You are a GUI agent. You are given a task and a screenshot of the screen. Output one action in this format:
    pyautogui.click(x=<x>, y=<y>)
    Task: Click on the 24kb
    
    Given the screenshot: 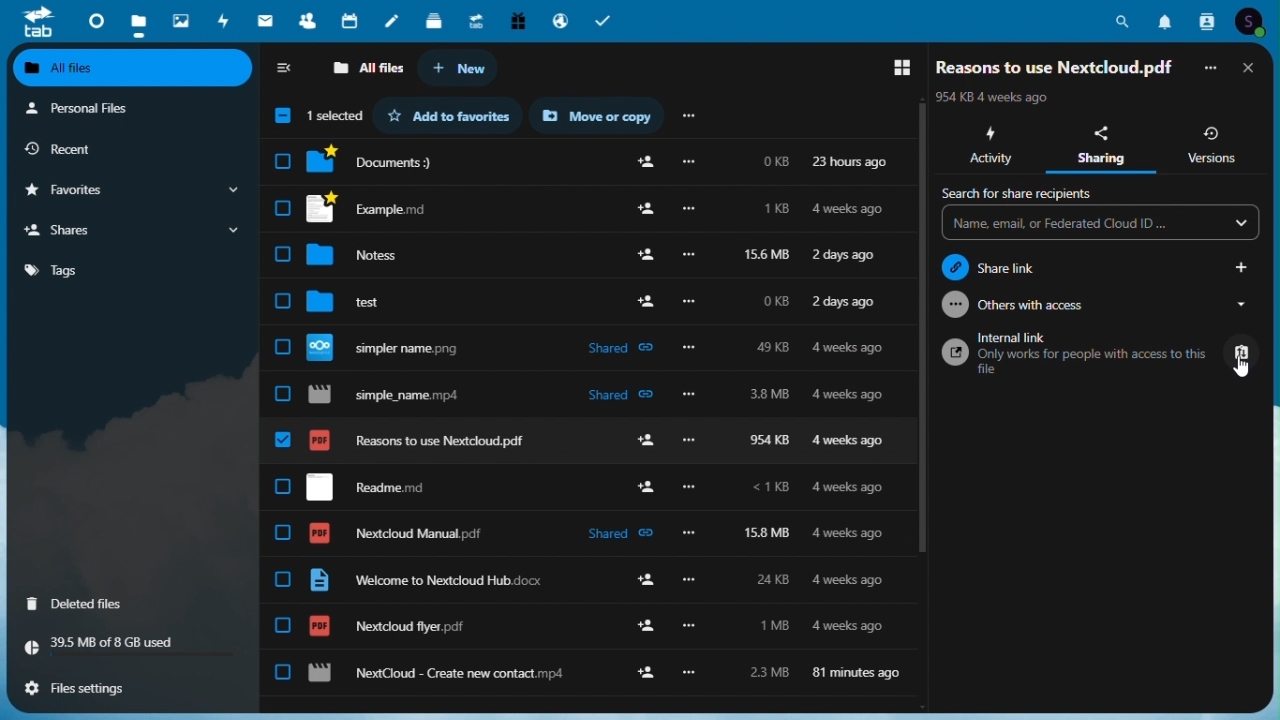 What is the action you would take?
    pyautogui.click(x=771, y=581)
    